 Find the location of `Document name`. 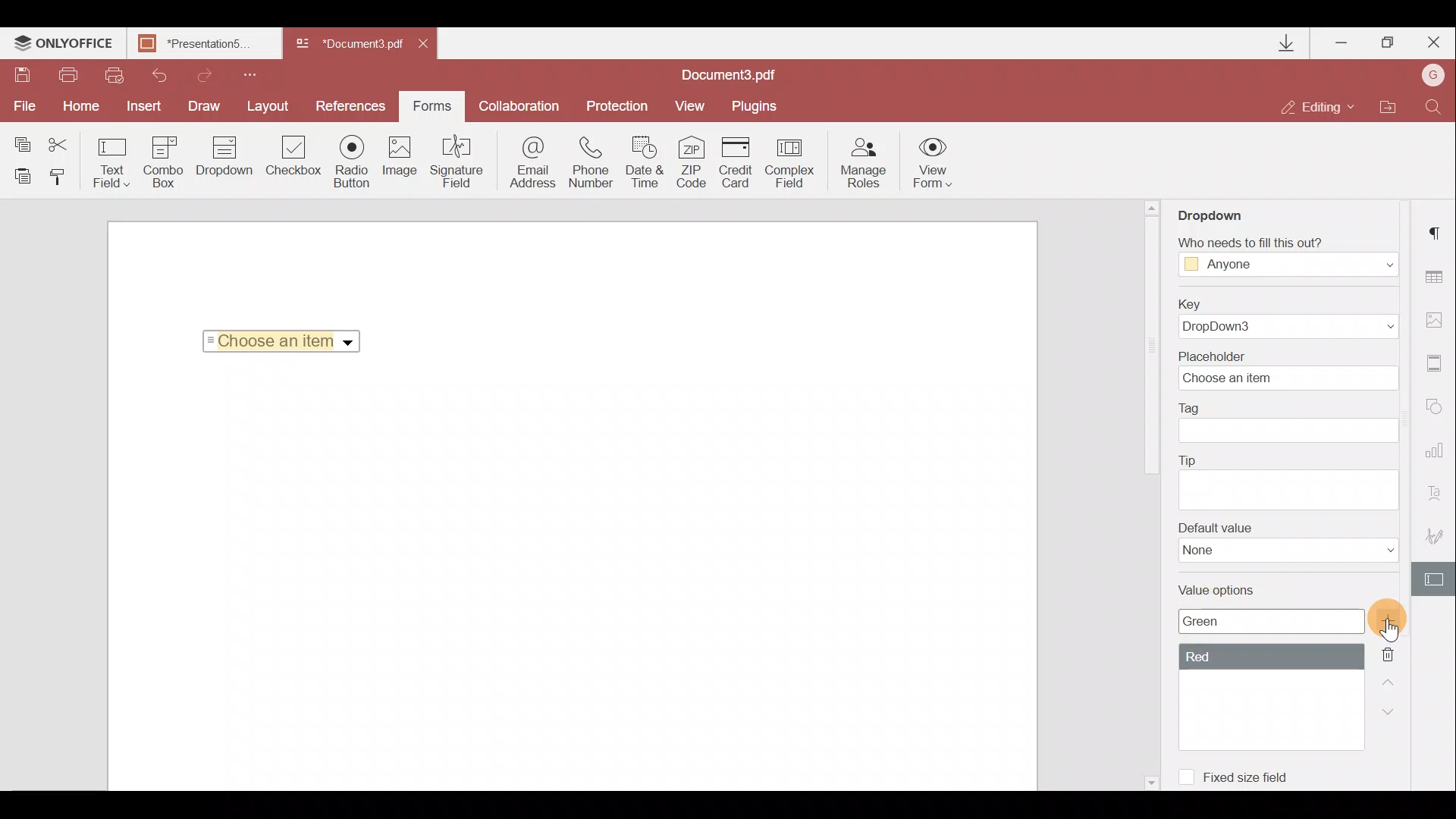

Document name is located at coordinates (209, 45).